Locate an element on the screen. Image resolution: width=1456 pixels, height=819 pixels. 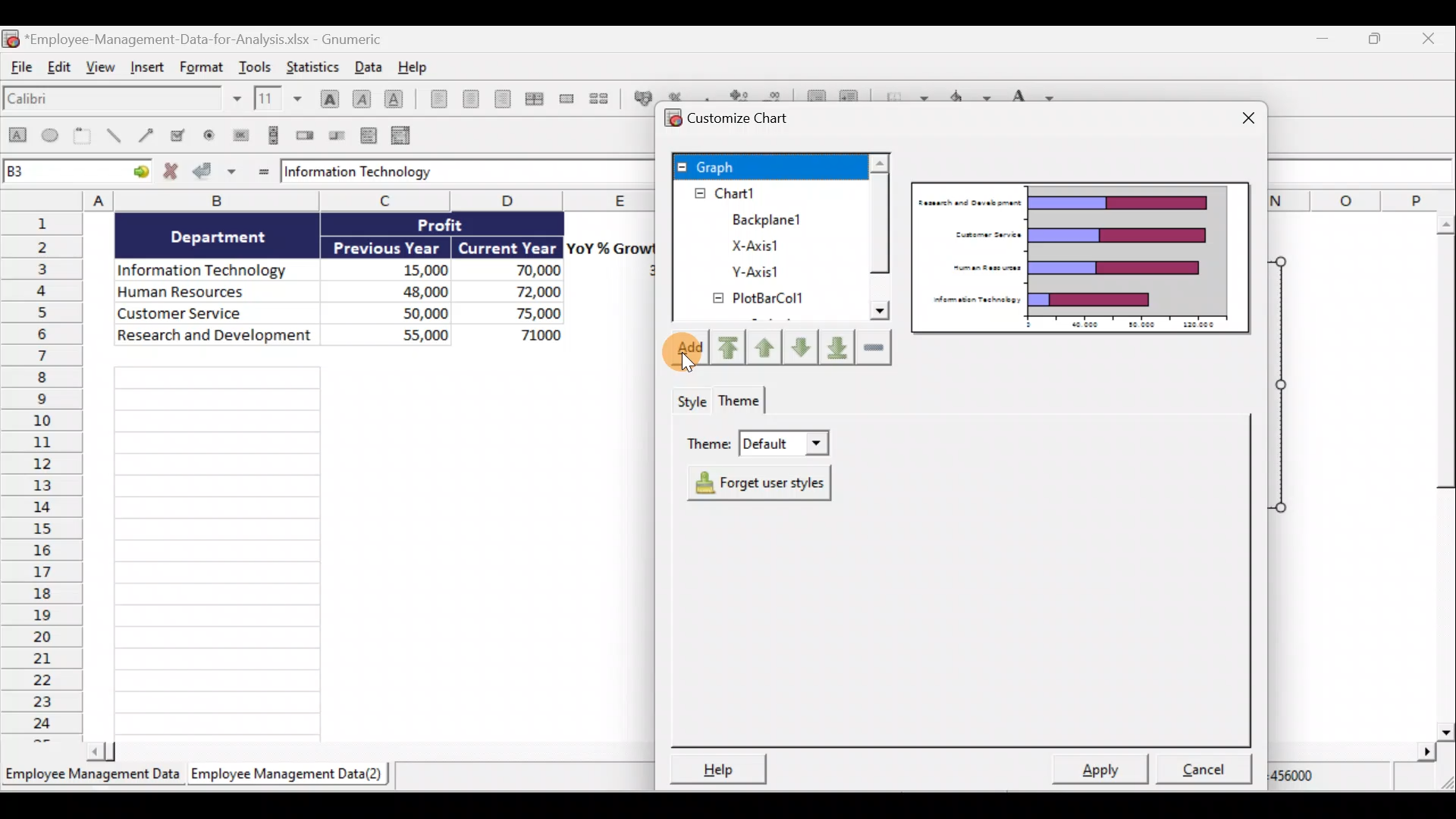
Create a checkbox is located at coordinates (184, 135).